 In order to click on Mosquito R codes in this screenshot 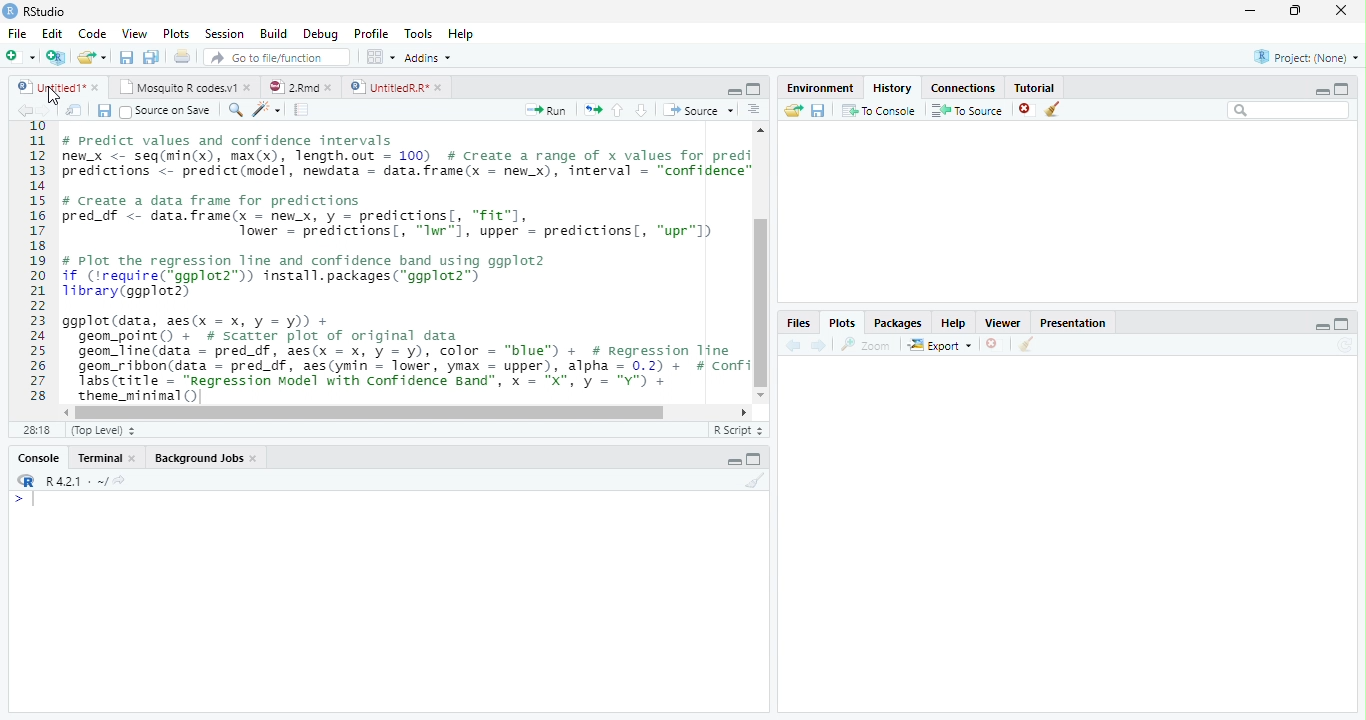, I will do `click(184, 87)`.